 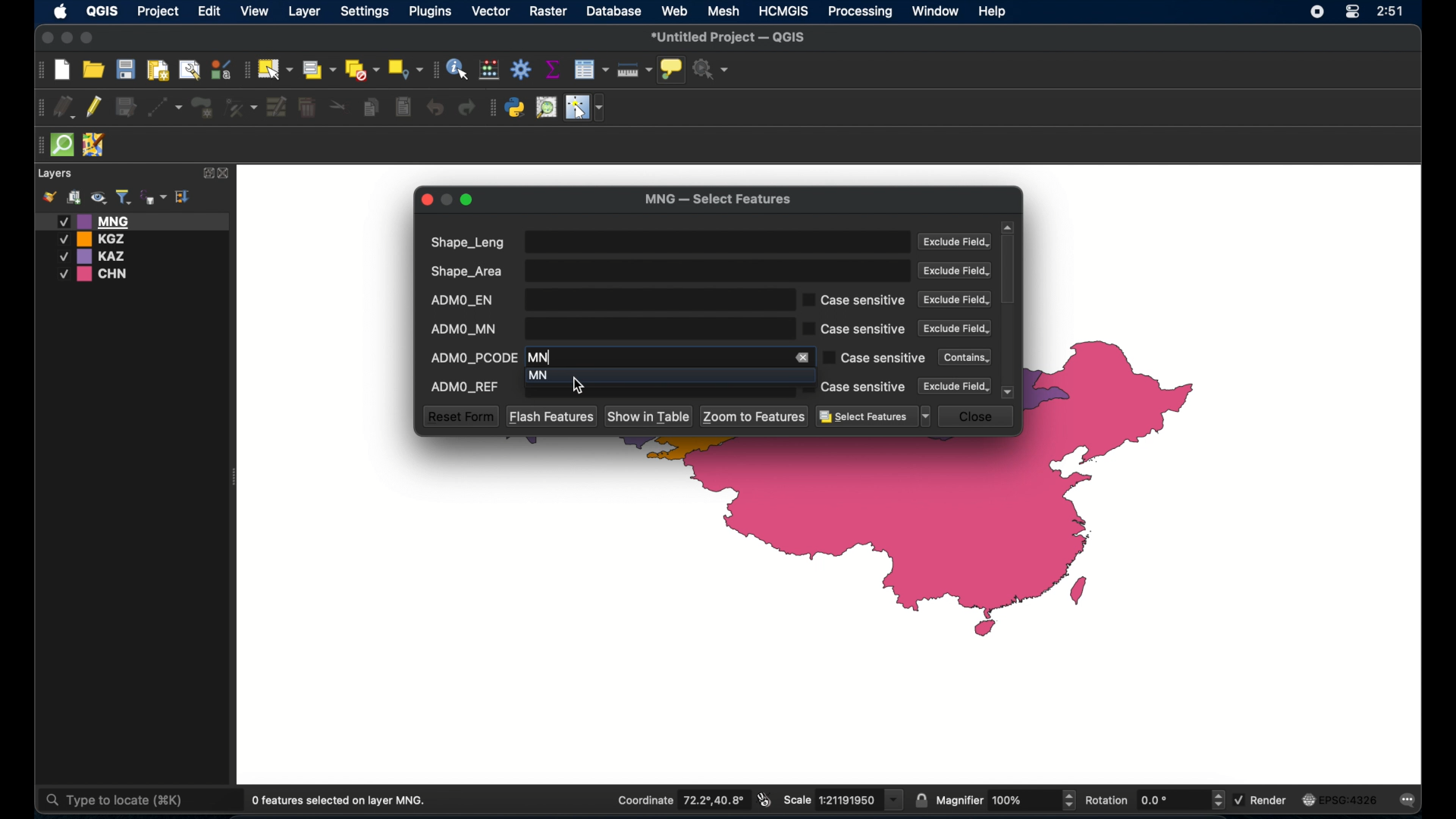 What do you see at coordinates (855, 300) in the screenshot?
I see `case sensitive` at bounding box center [855, 300].